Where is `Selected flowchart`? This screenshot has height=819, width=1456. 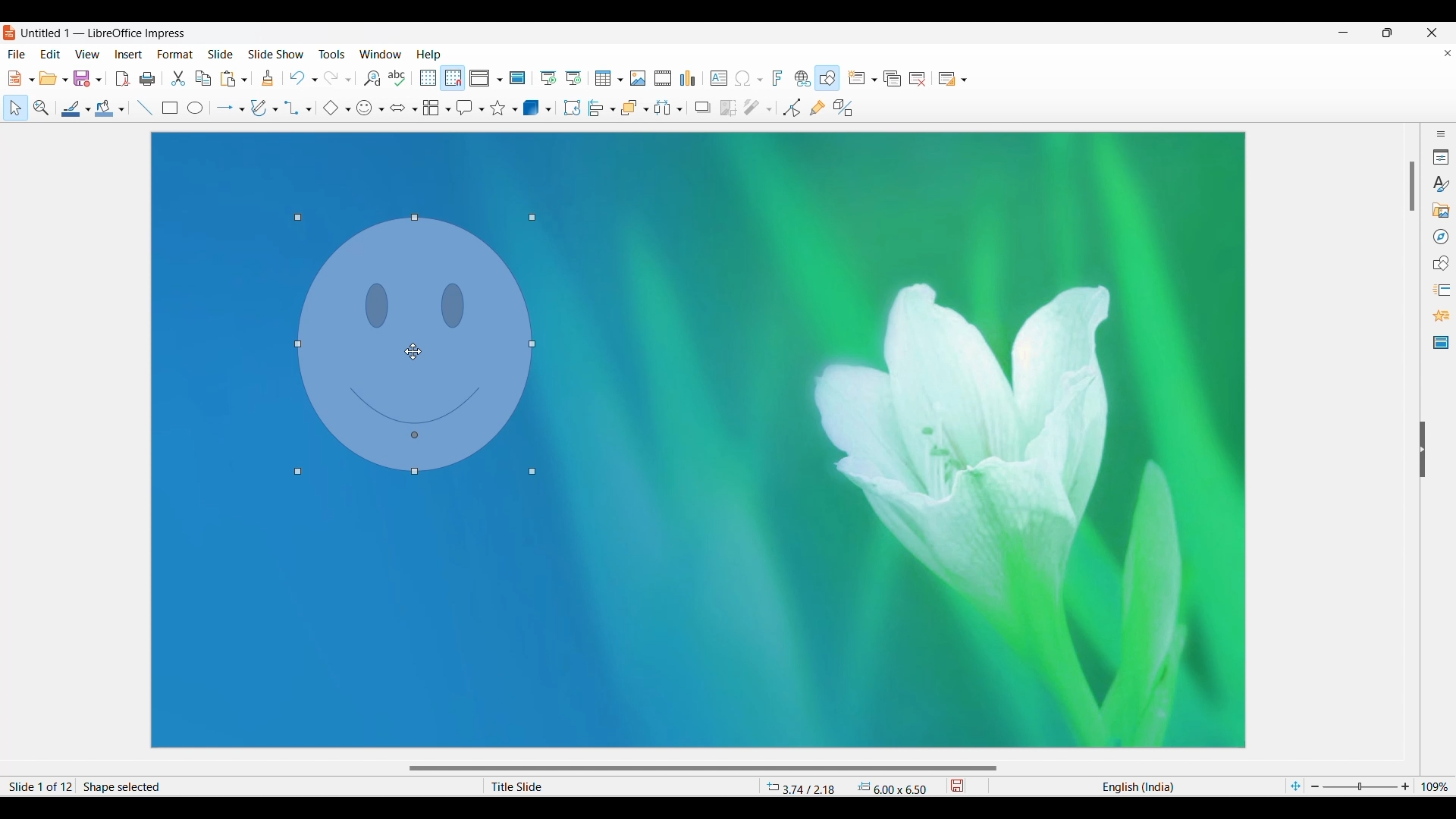 Selected flowchart is located at coordinates (431, 108).